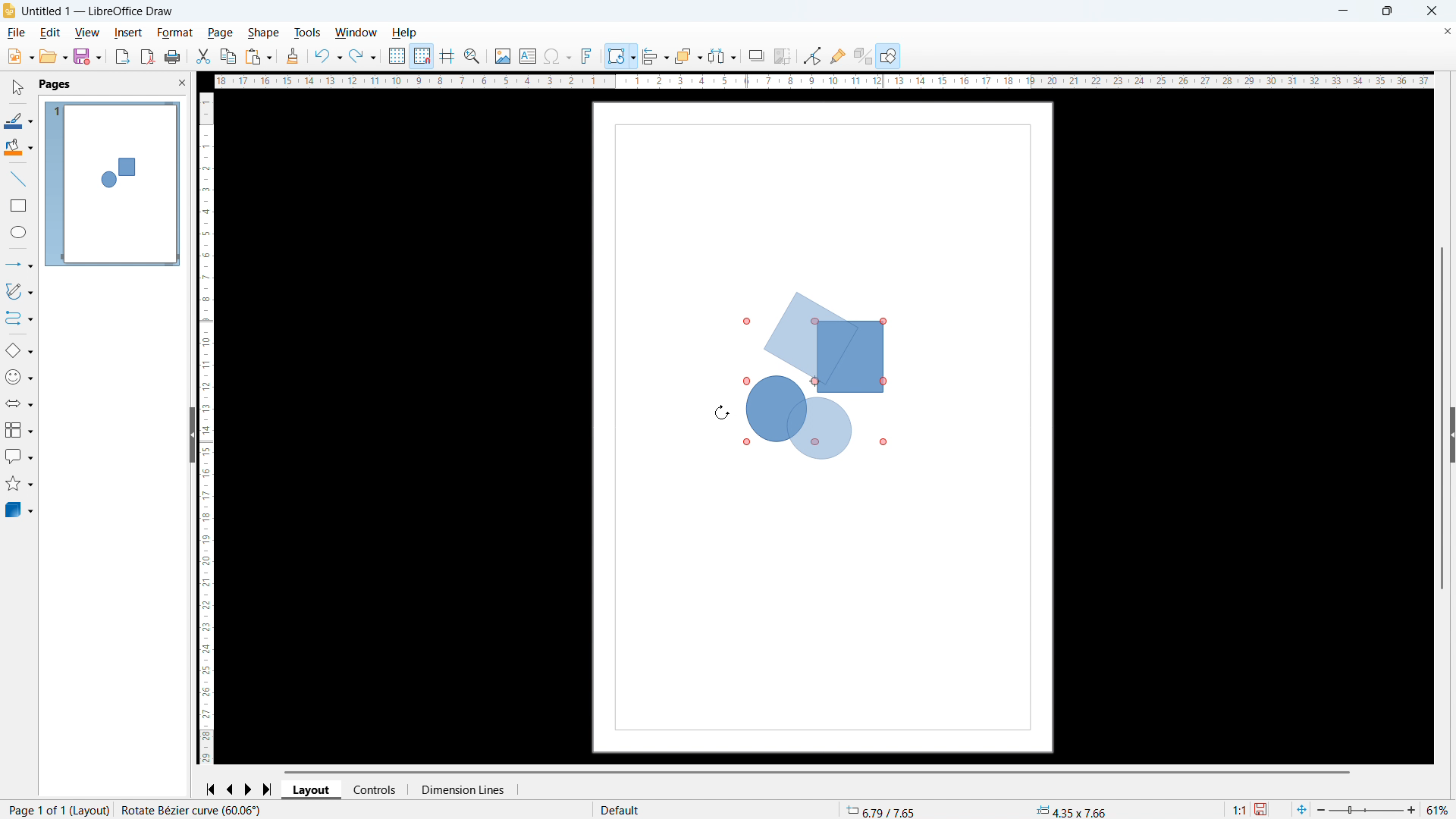 This screenshot has height=819, width=1456. Describe the element at coordinates (173, 56) in the screenshot. I see `Print ` at that location.